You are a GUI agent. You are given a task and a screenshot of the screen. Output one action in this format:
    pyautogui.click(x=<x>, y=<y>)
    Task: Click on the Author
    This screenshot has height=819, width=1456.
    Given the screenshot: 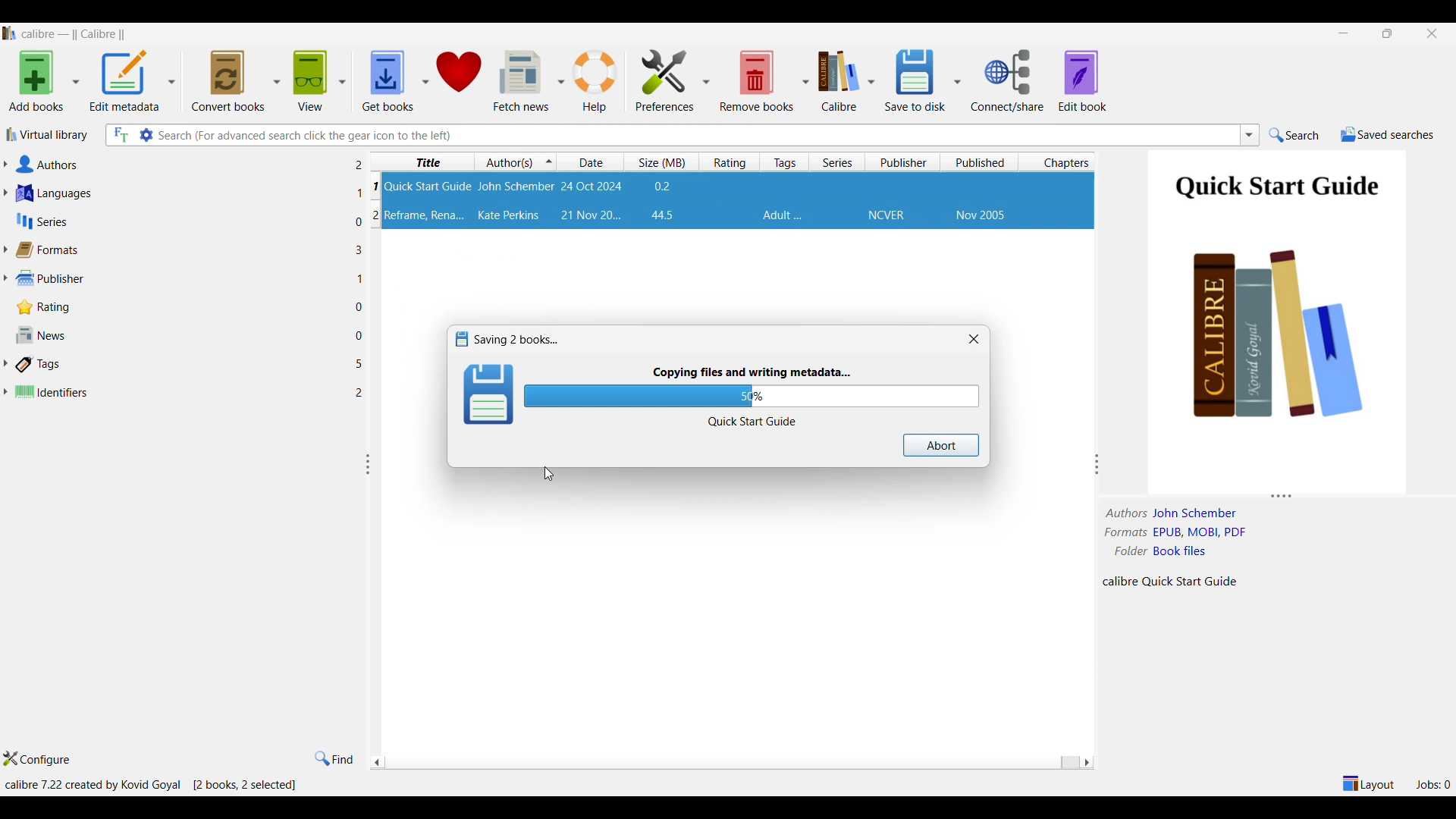 What is the action you would take?
    pyautogui.click(x=510, y=215)
    